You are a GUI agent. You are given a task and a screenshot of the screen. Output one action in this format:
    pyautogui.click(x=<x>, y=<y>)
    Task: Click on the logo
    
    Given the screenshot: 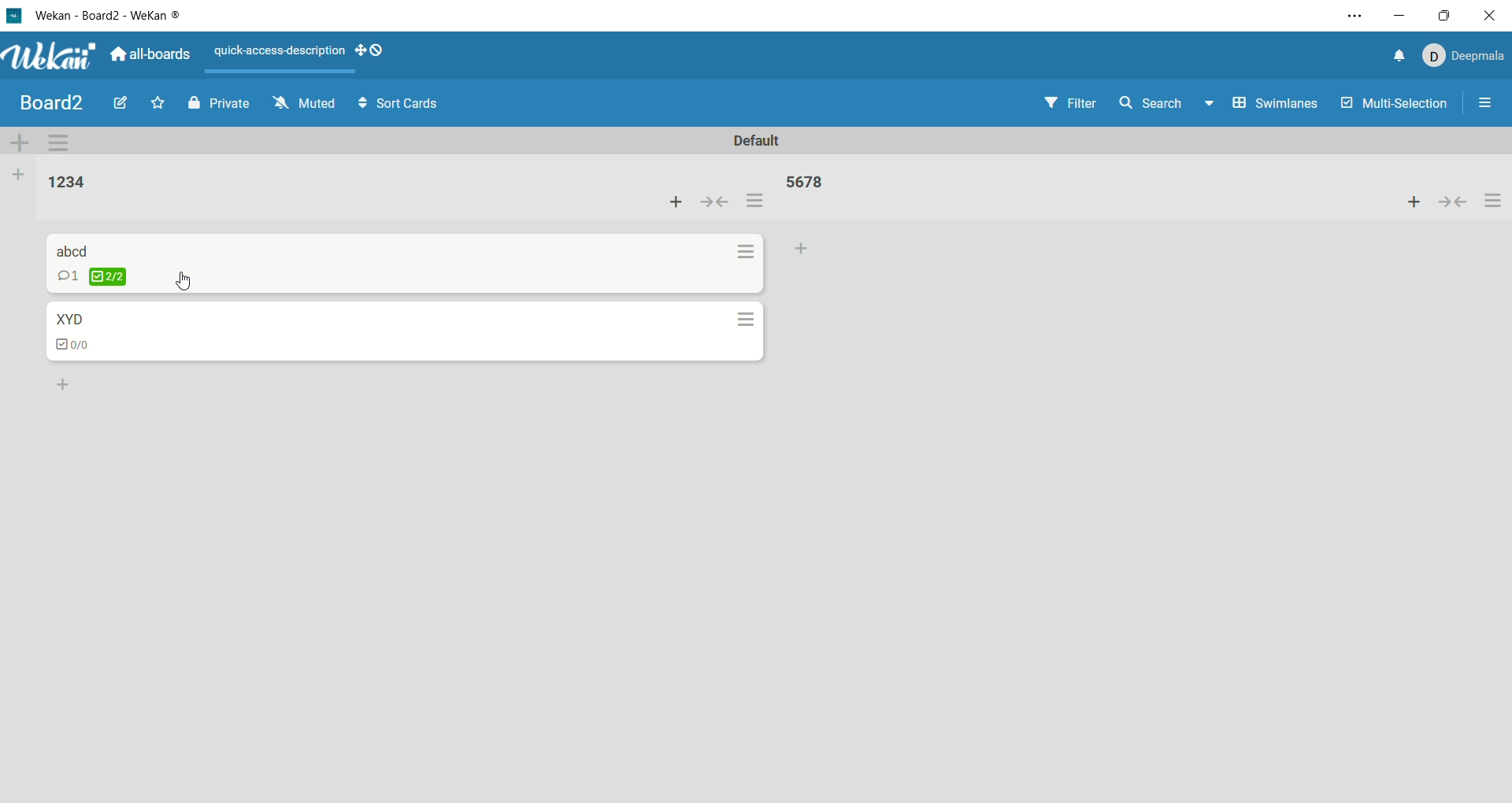 What is the action you would take?
    pyautogui.click(x=15, y=18)
    